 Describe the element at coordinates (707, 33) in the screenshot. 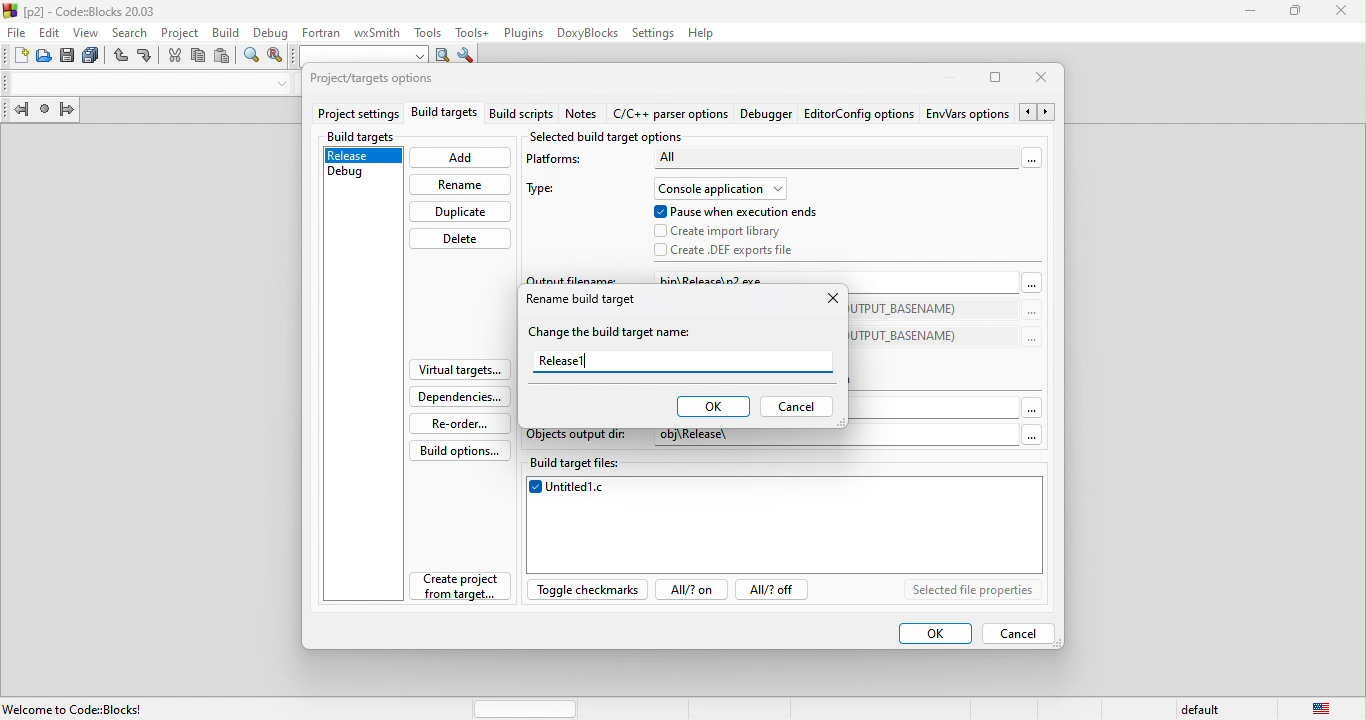

I see `help` at that location.